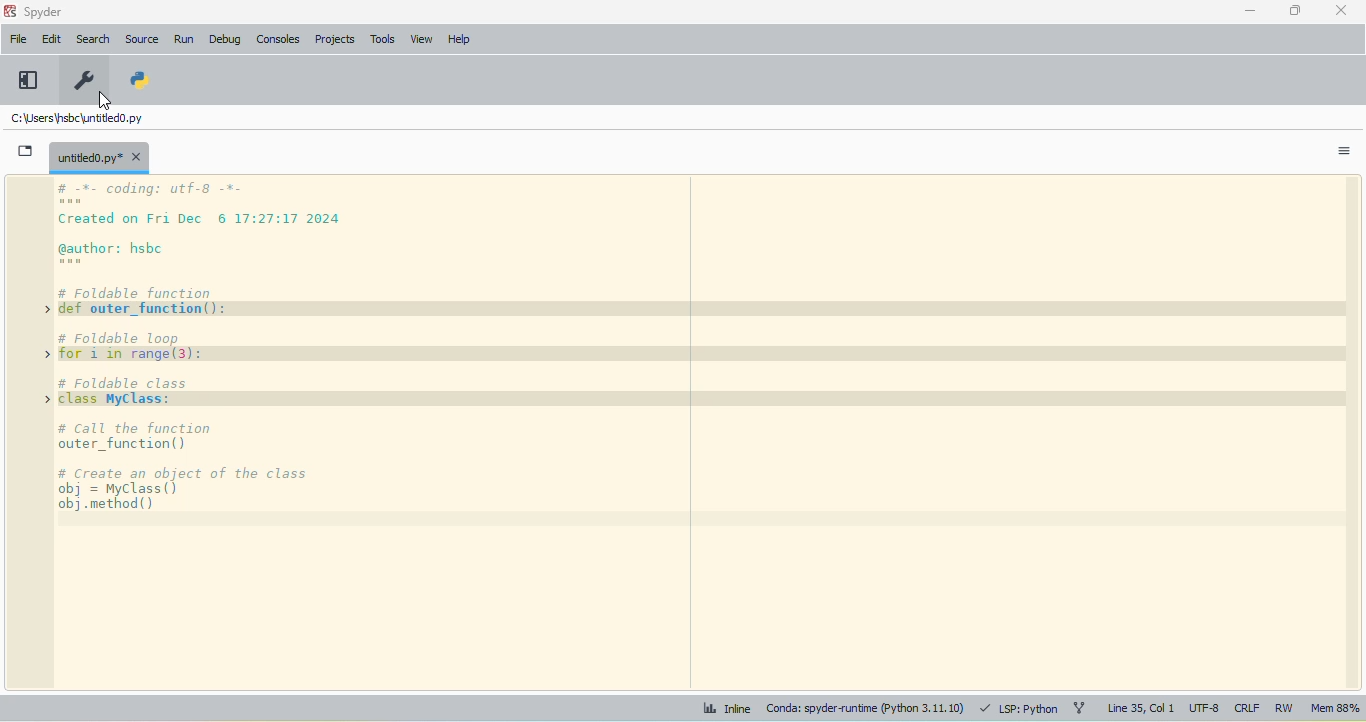 Image resolution: width=1366 pixels, height=722 pixels. What do you see at coordinates (1296, 10) in the screenshot?
I see `maximize` at bounding box center [1296, 10].